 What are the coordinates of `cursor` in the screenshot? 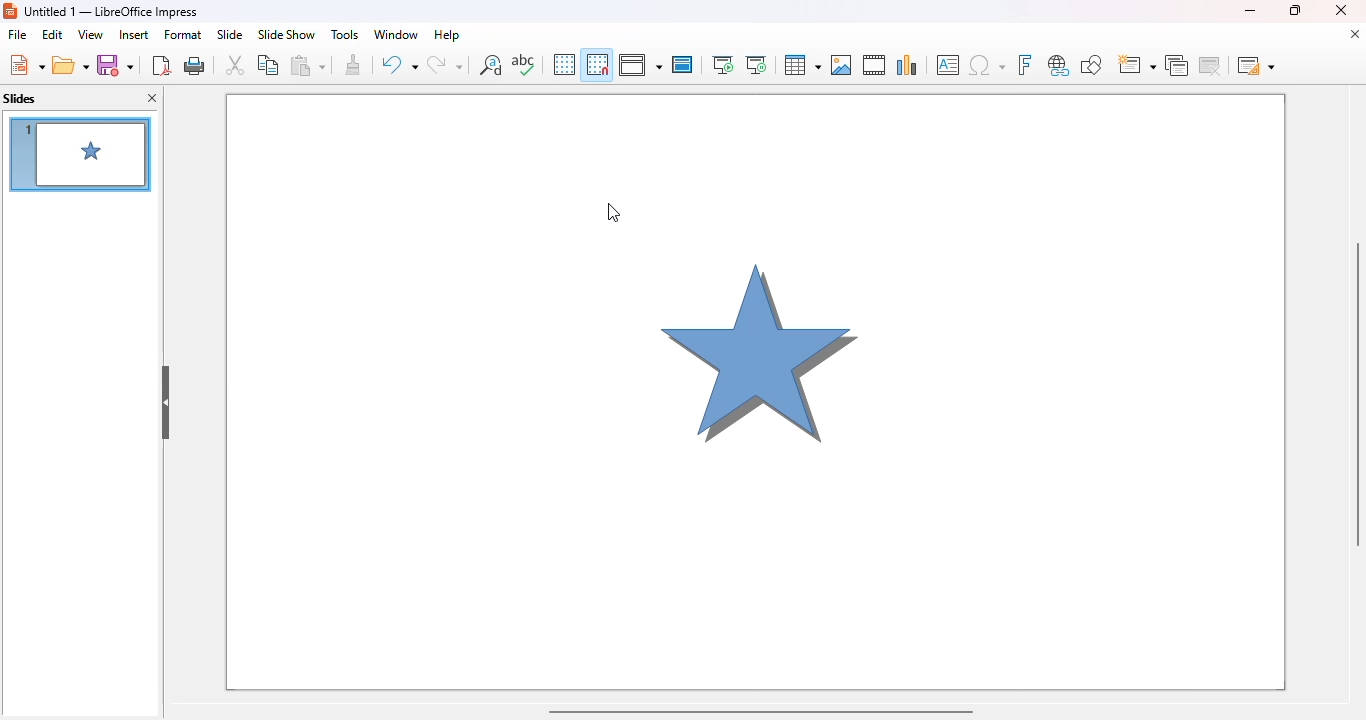 It's located at (615, 213).